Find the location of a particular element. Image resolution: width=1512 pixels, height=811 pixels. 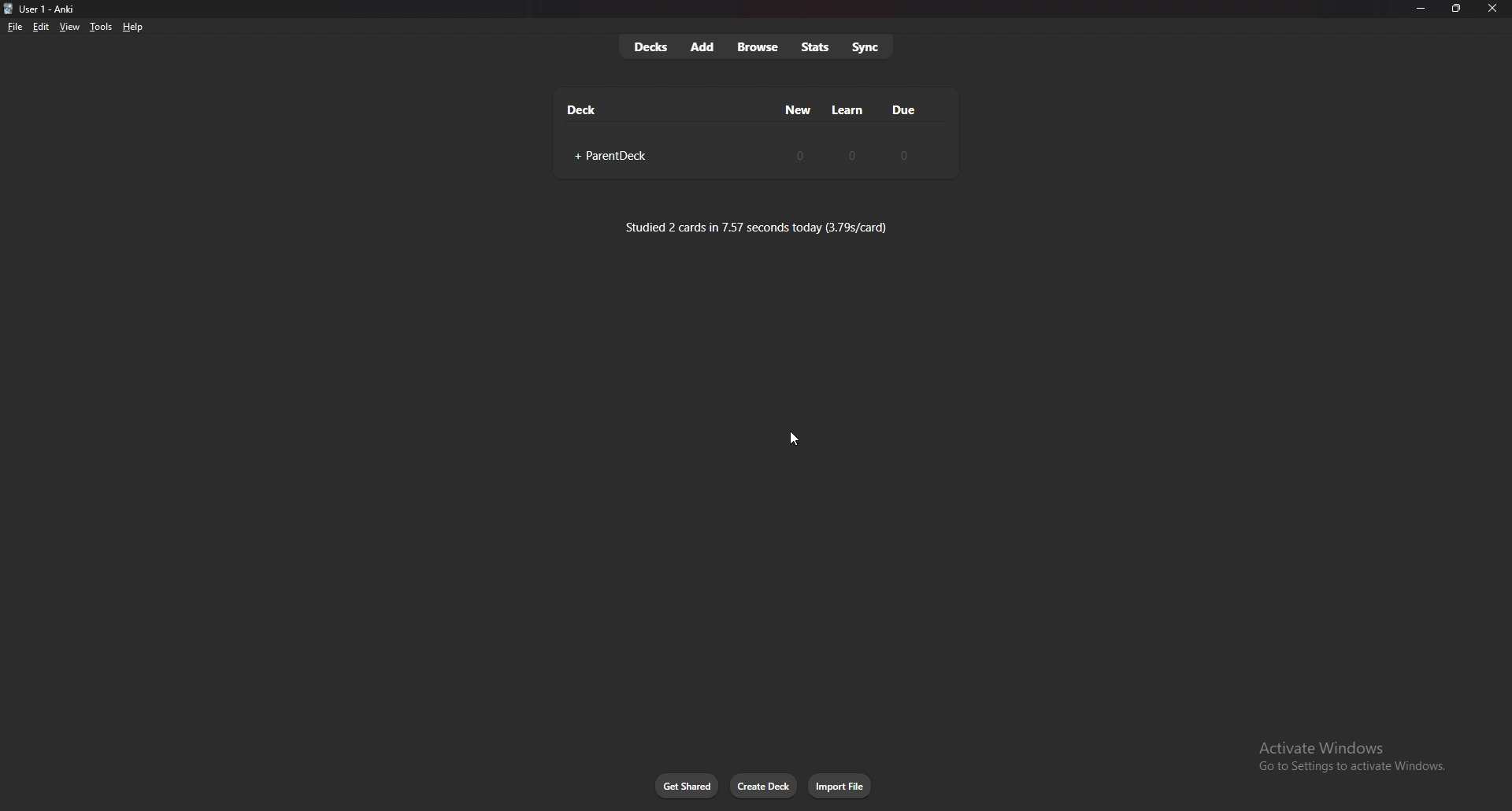

0 is located at coordinates (800, 154).